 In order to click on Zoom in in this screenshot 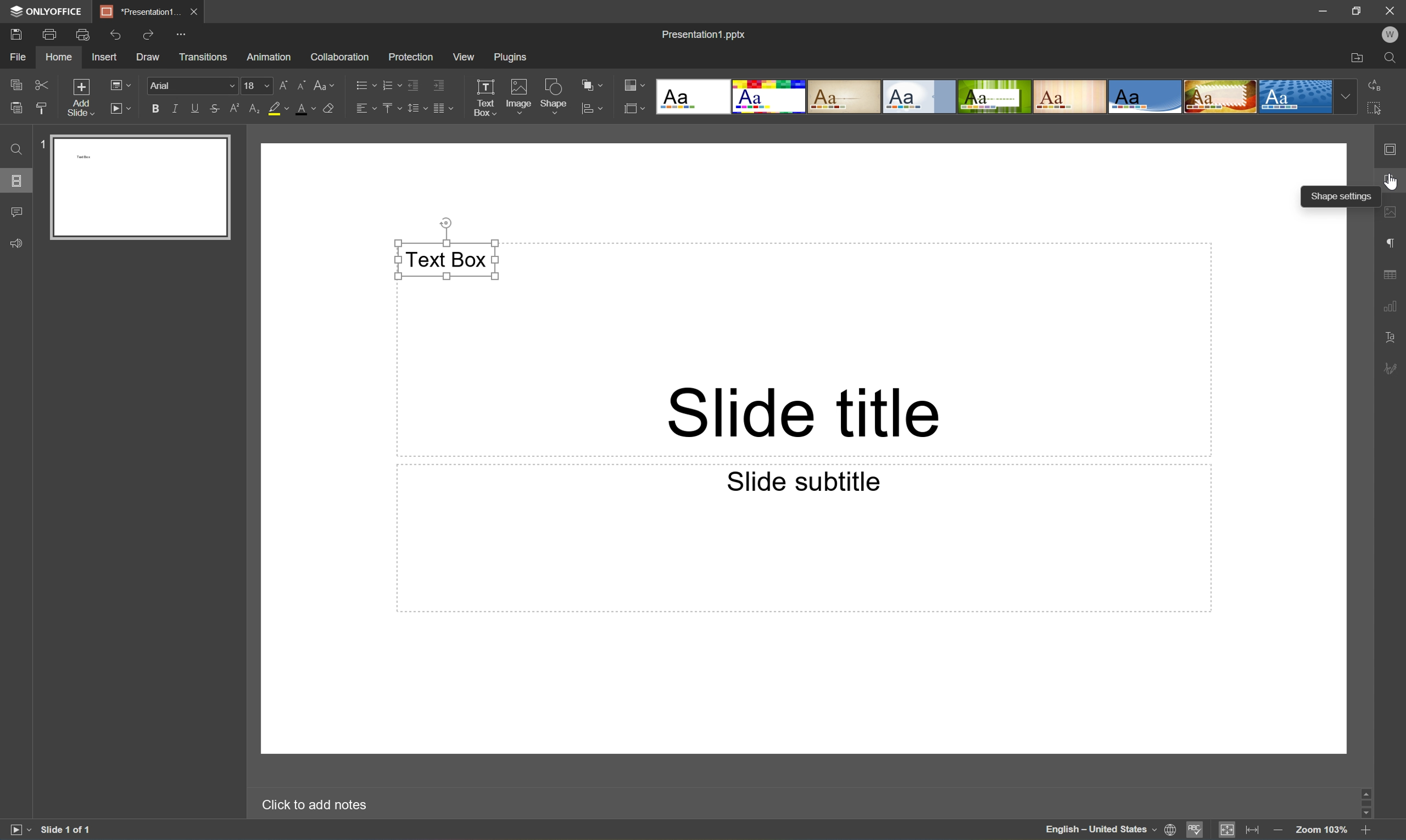, I will do `click(1369, 831)`.